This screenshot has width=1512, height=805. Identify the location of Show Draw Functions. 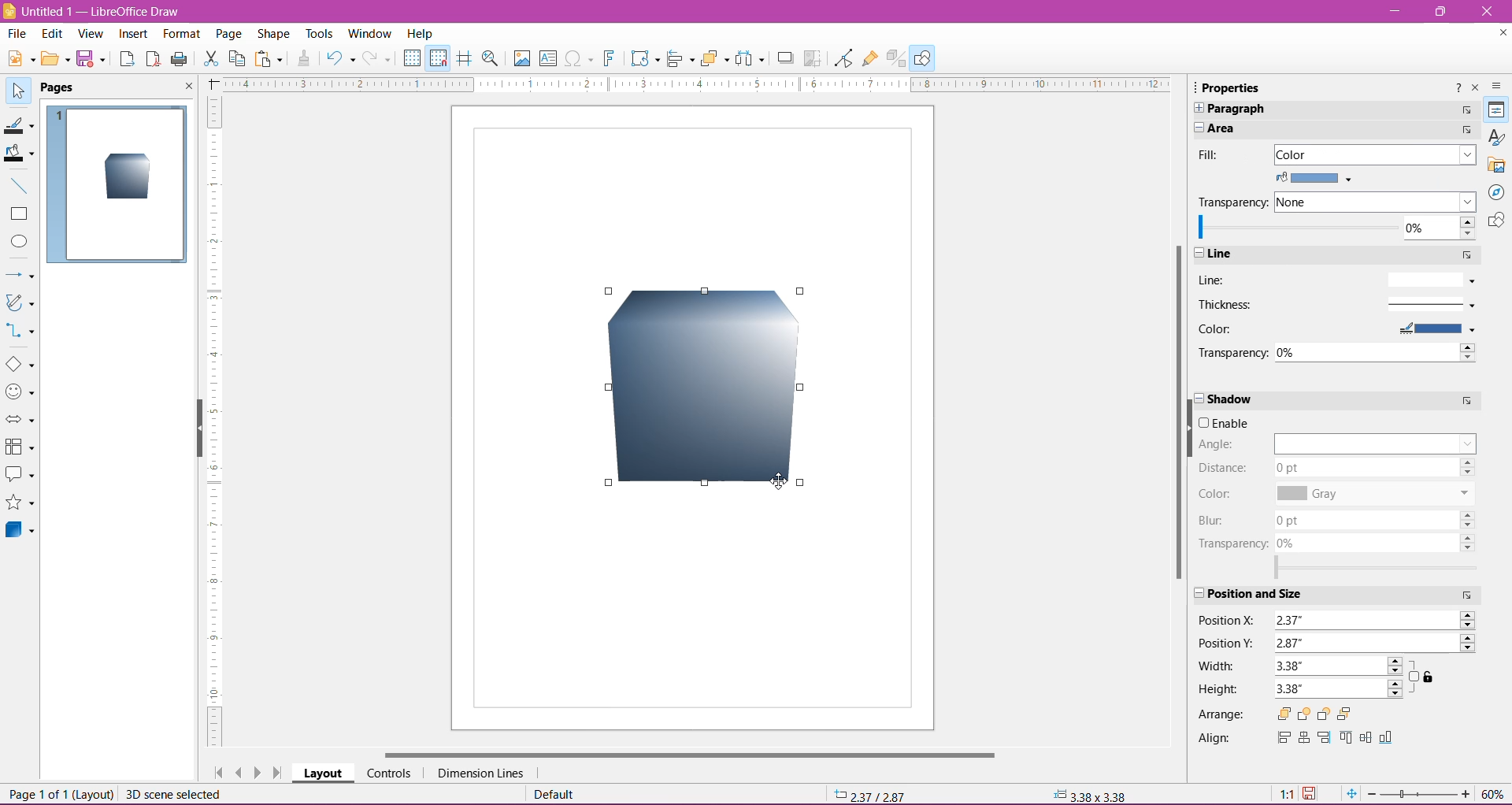
(922, 57).